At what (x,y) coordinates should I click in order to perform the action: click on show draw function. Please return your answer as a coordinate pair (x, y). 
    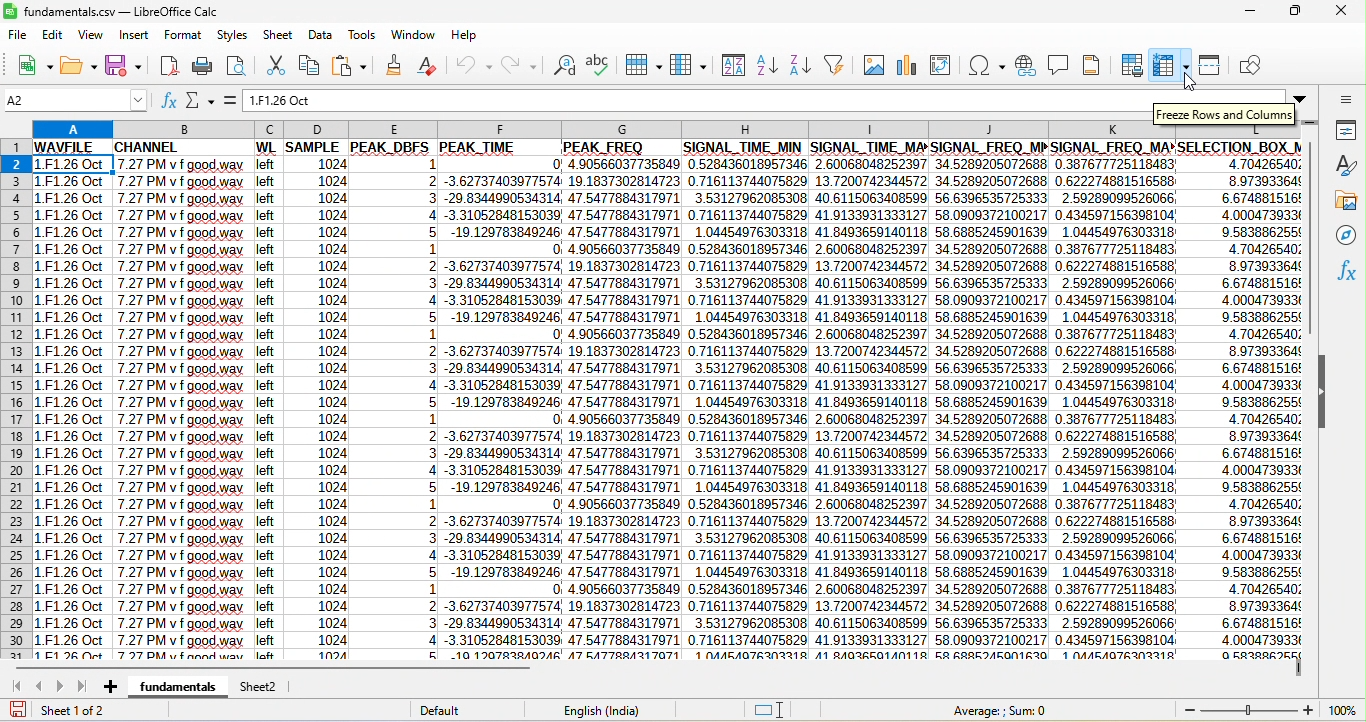
    Looking at the image, I should click on (1257, 68).